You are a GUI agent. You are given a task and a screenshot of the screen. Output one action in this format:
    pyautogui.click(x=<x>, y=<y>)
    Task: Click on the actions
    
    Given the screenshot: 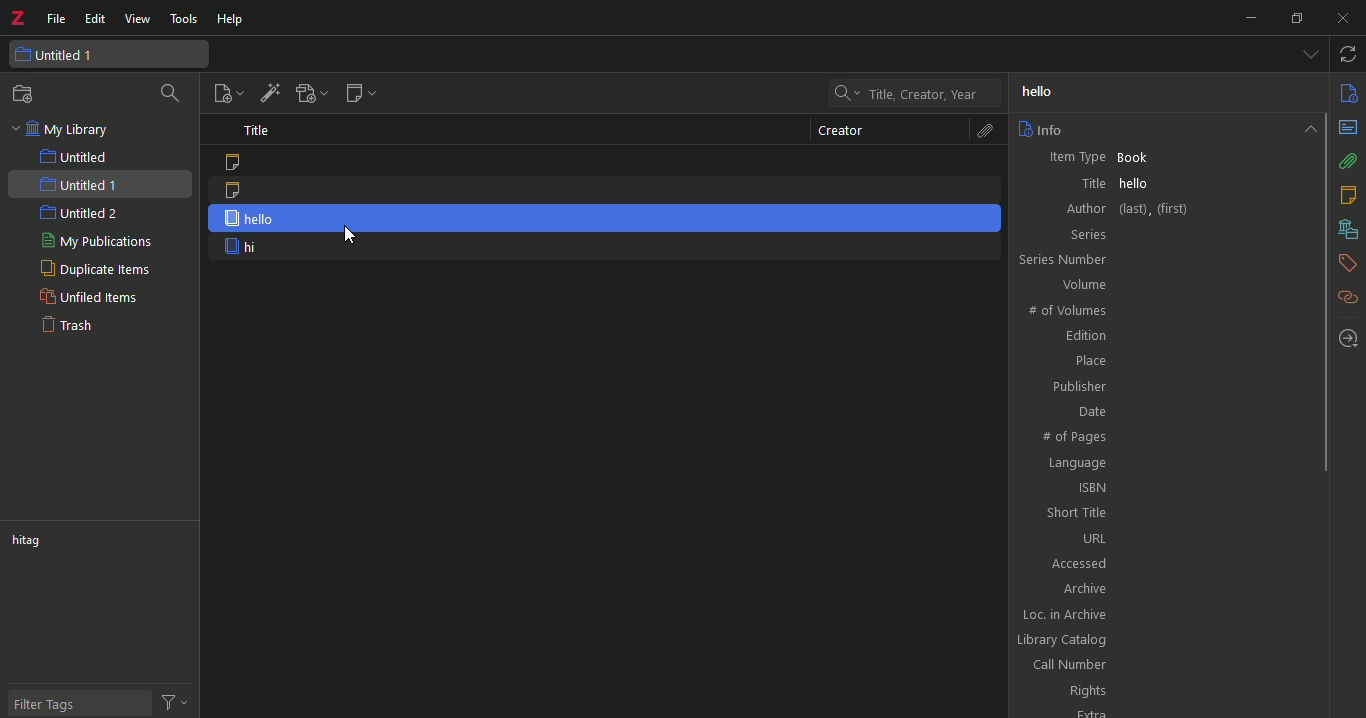 What is the action you would take?
    pyautogui.click(x=180, y=699)
    